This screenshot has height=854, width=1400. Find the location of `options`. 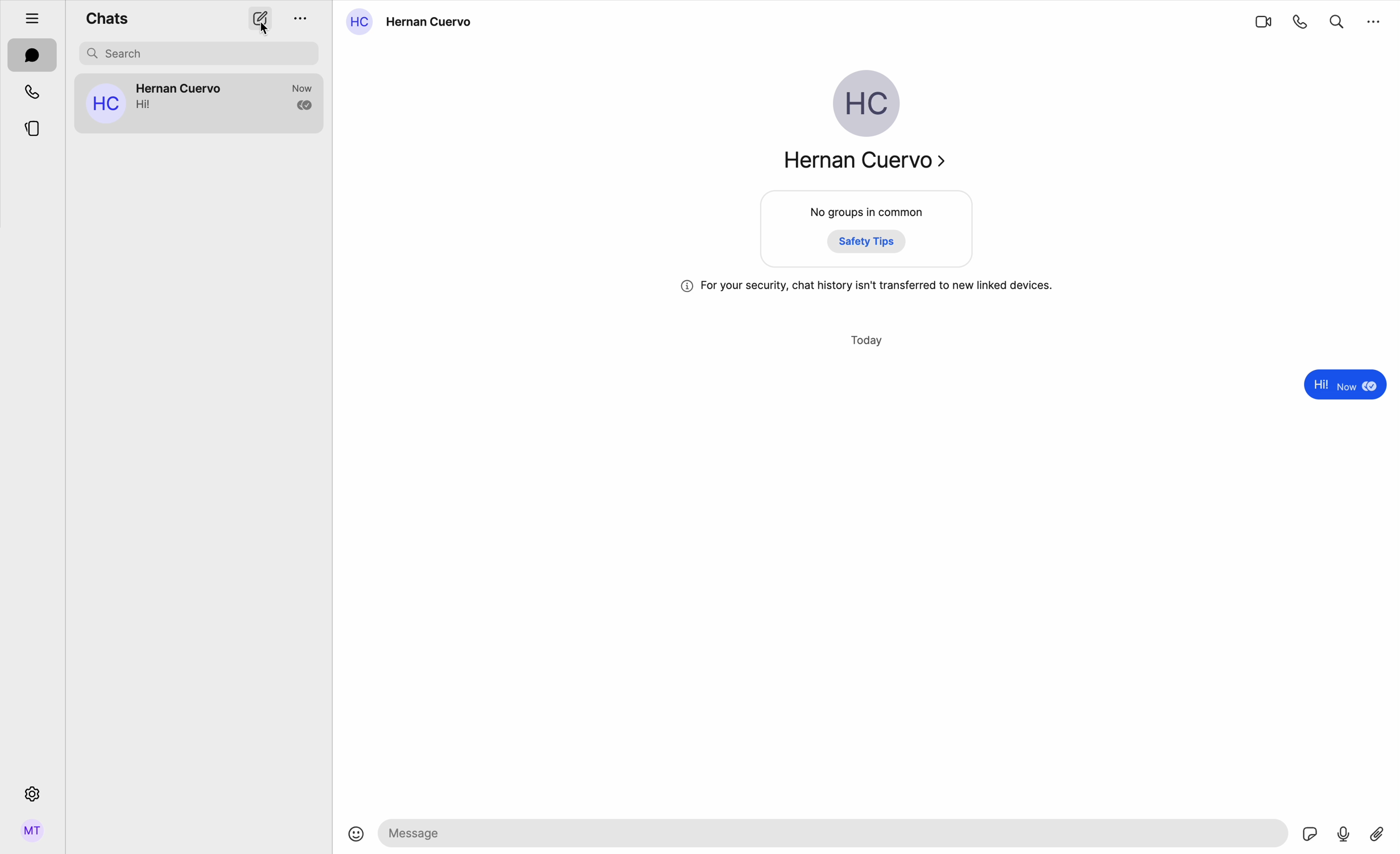

options is located at coordinates (305, 15).